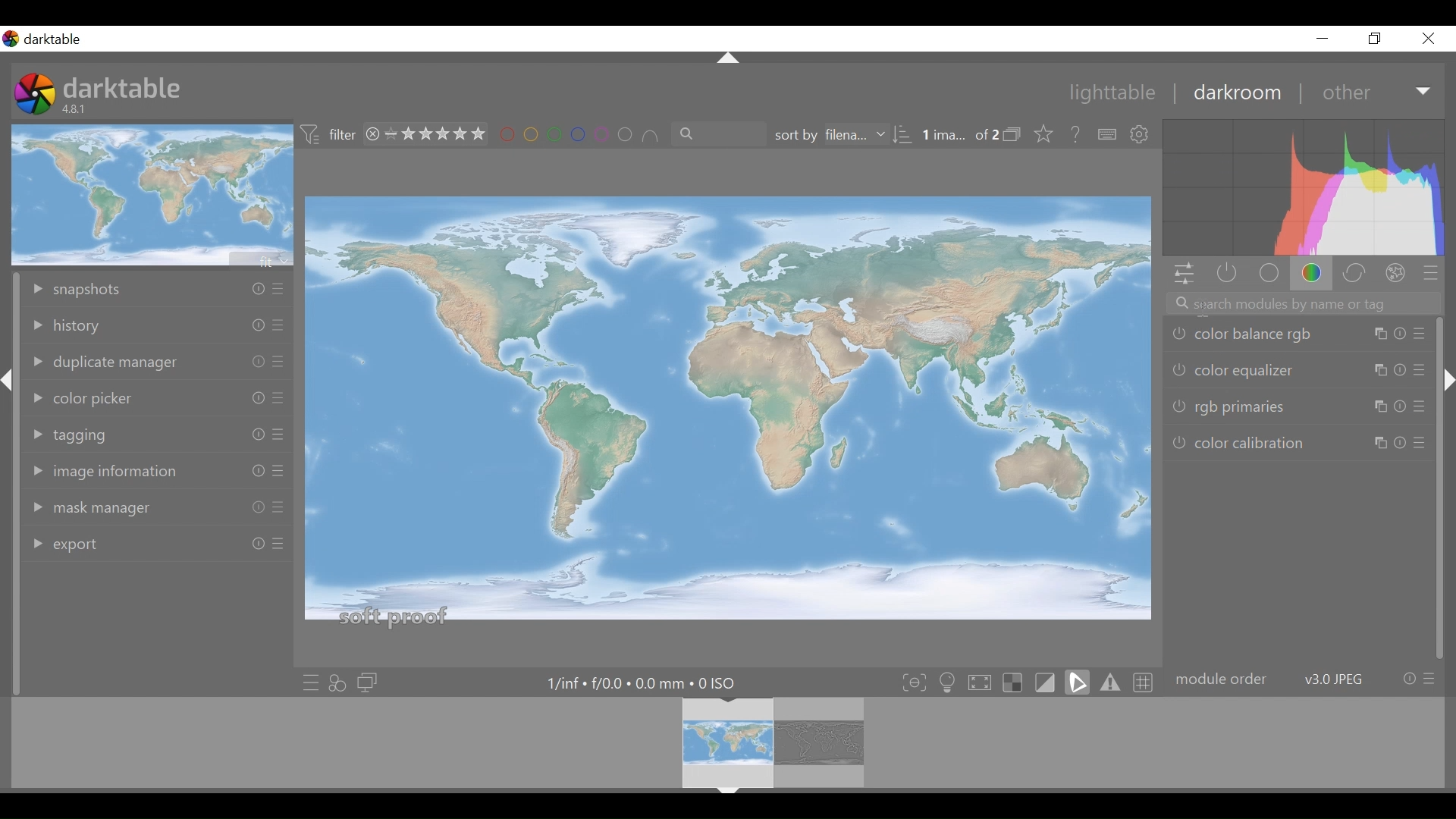  I want to click on search modules, so click(1303, 303).